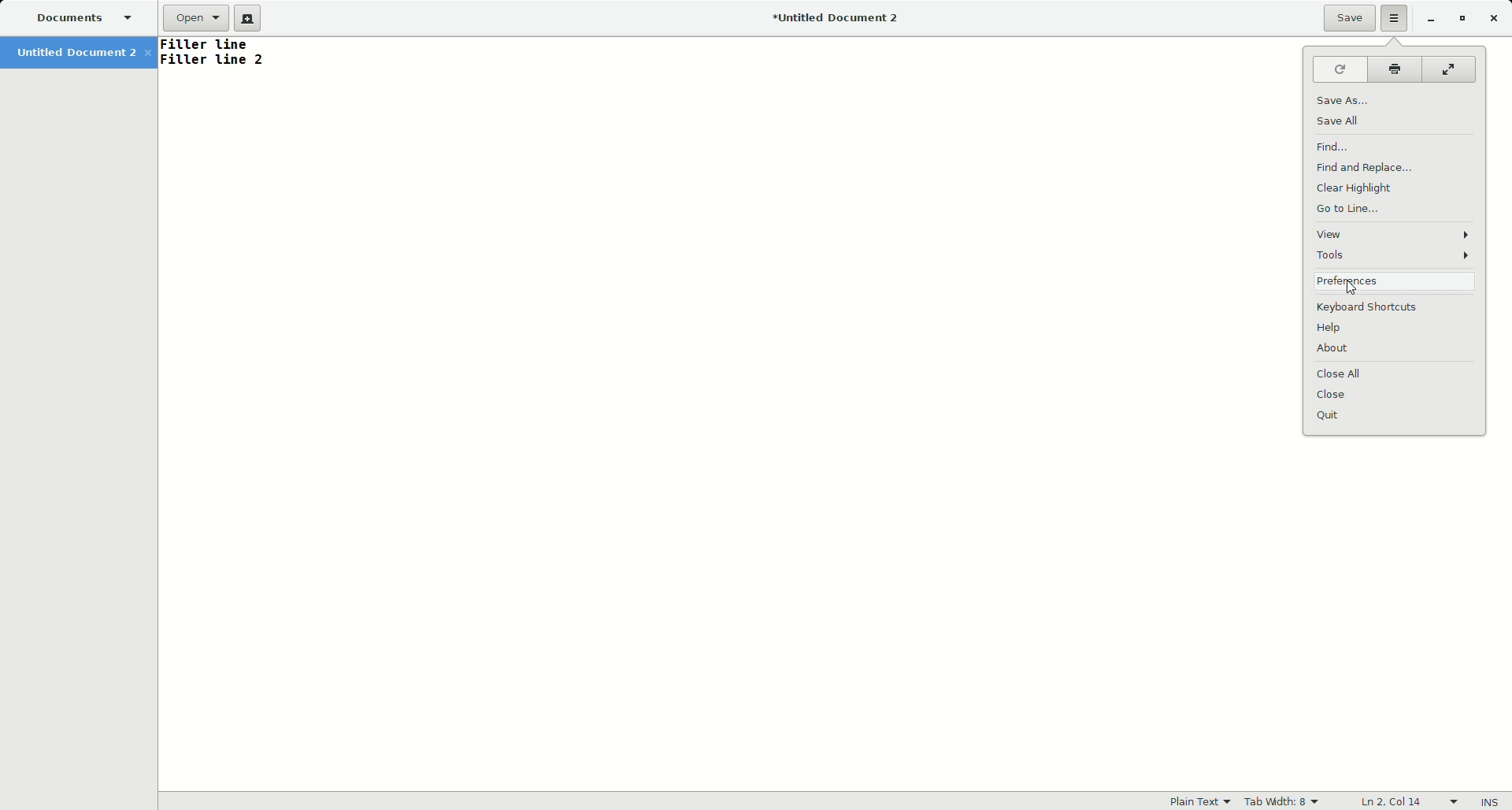  Describe the element at coordinates (251, 18) in the screenshot. I see `New` at that location.